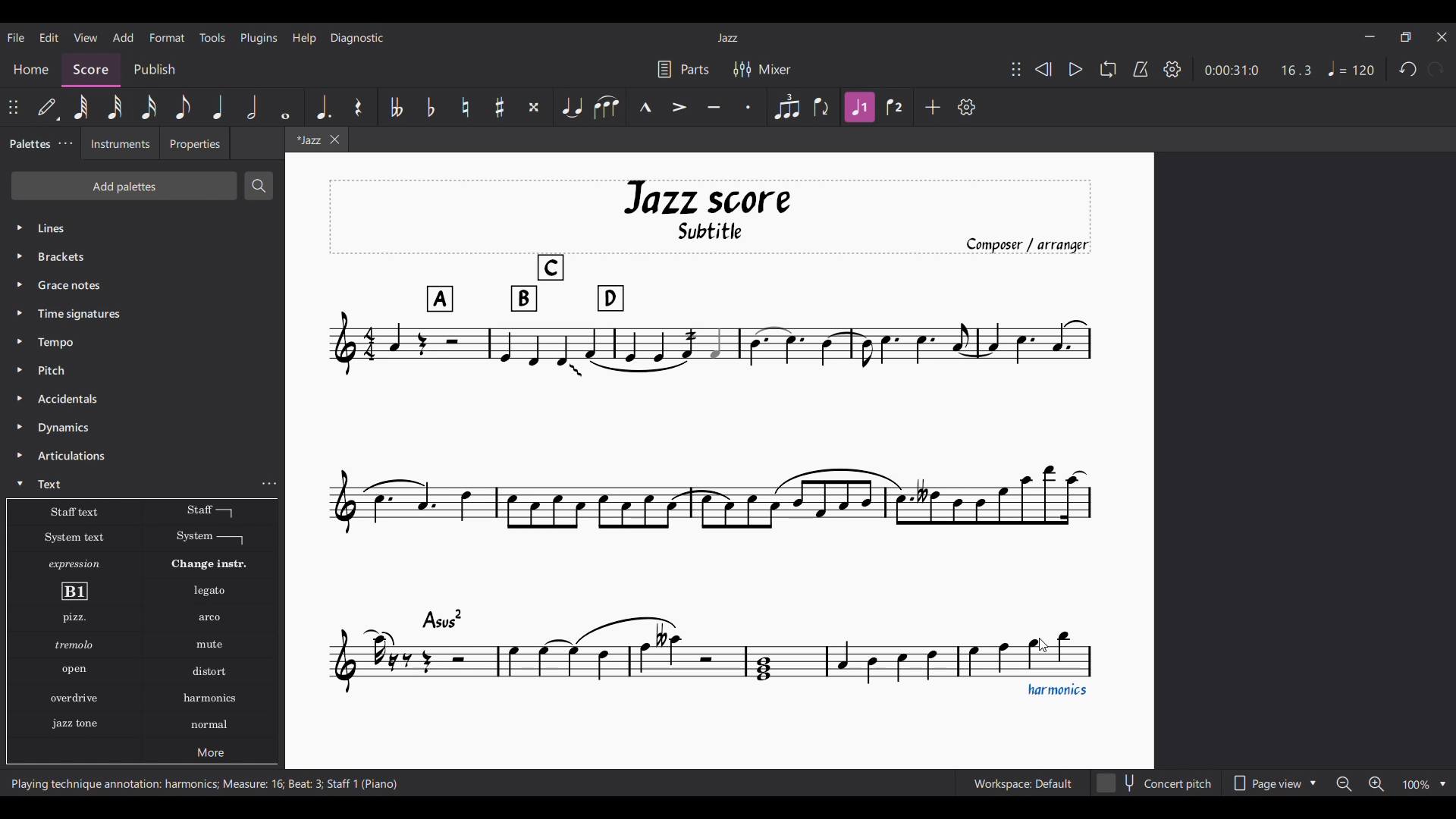 The height and width of the screenshot is (819, 1456). What do you see at coordinates (761, 68) in the screenshot?
I see `Mixer settings` at bounding box center [761, 68].